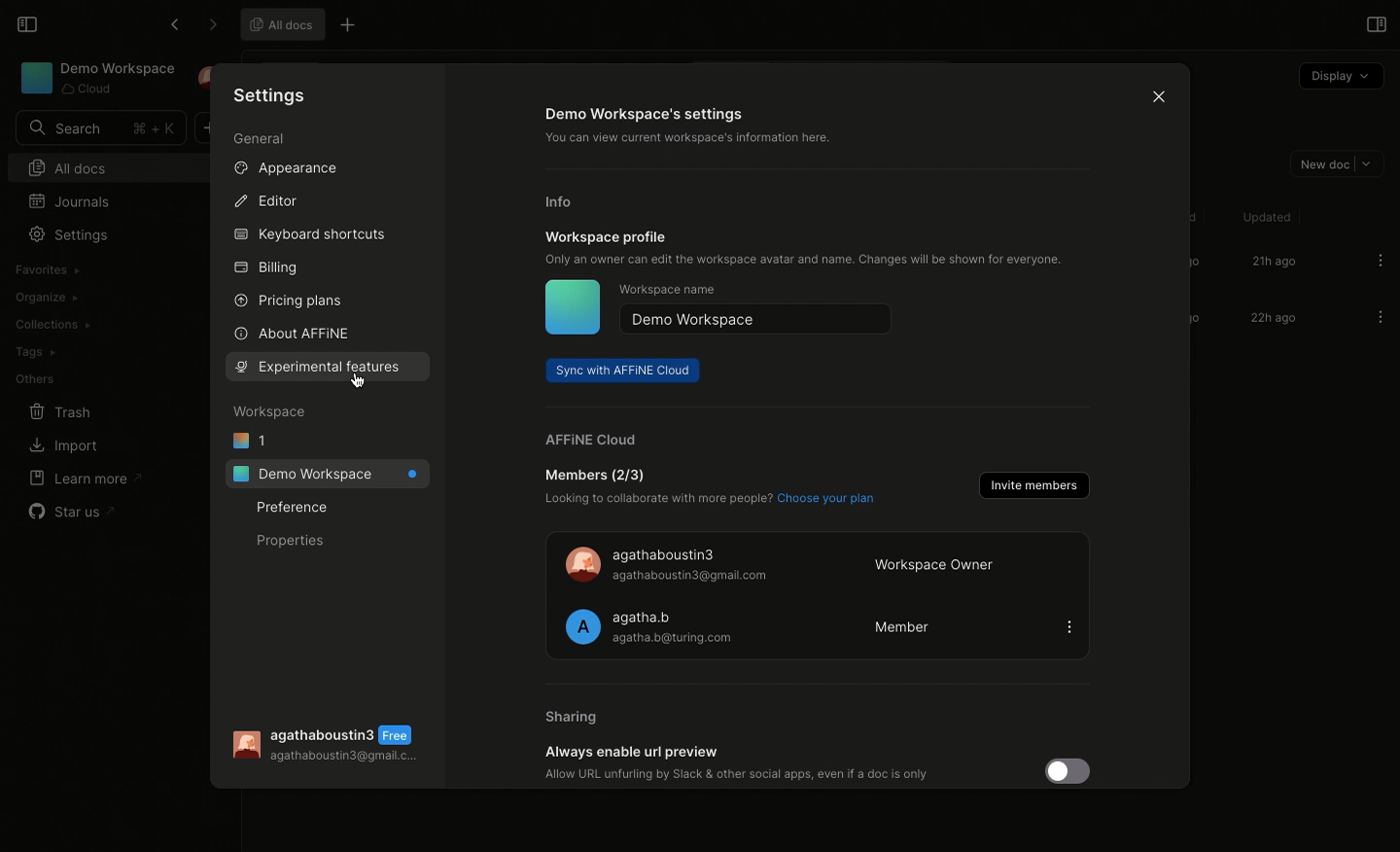 The image size is (1400, 852). Describe the element at coordinates (818, 626) in the screenshot. I see `Member 2` at that location.